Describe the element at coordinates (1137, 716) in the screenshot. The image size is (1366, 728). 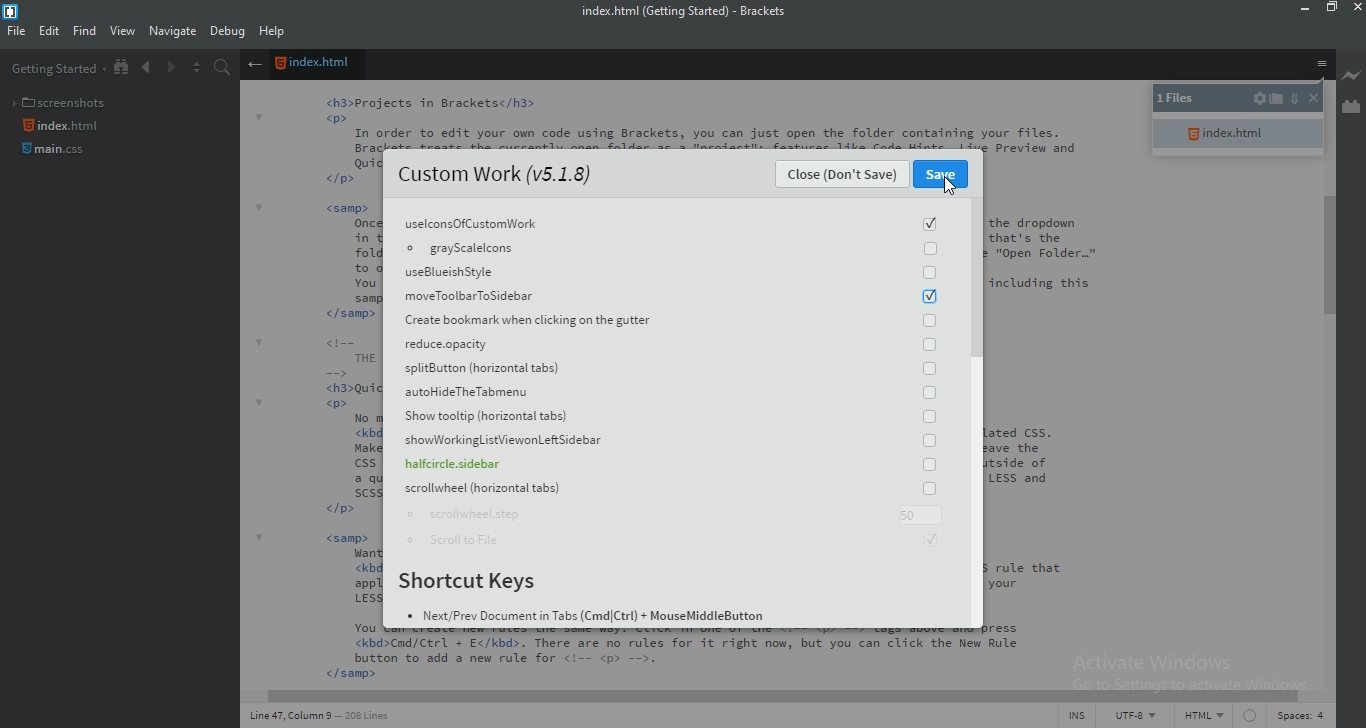
I see `UTF-8` at that location.